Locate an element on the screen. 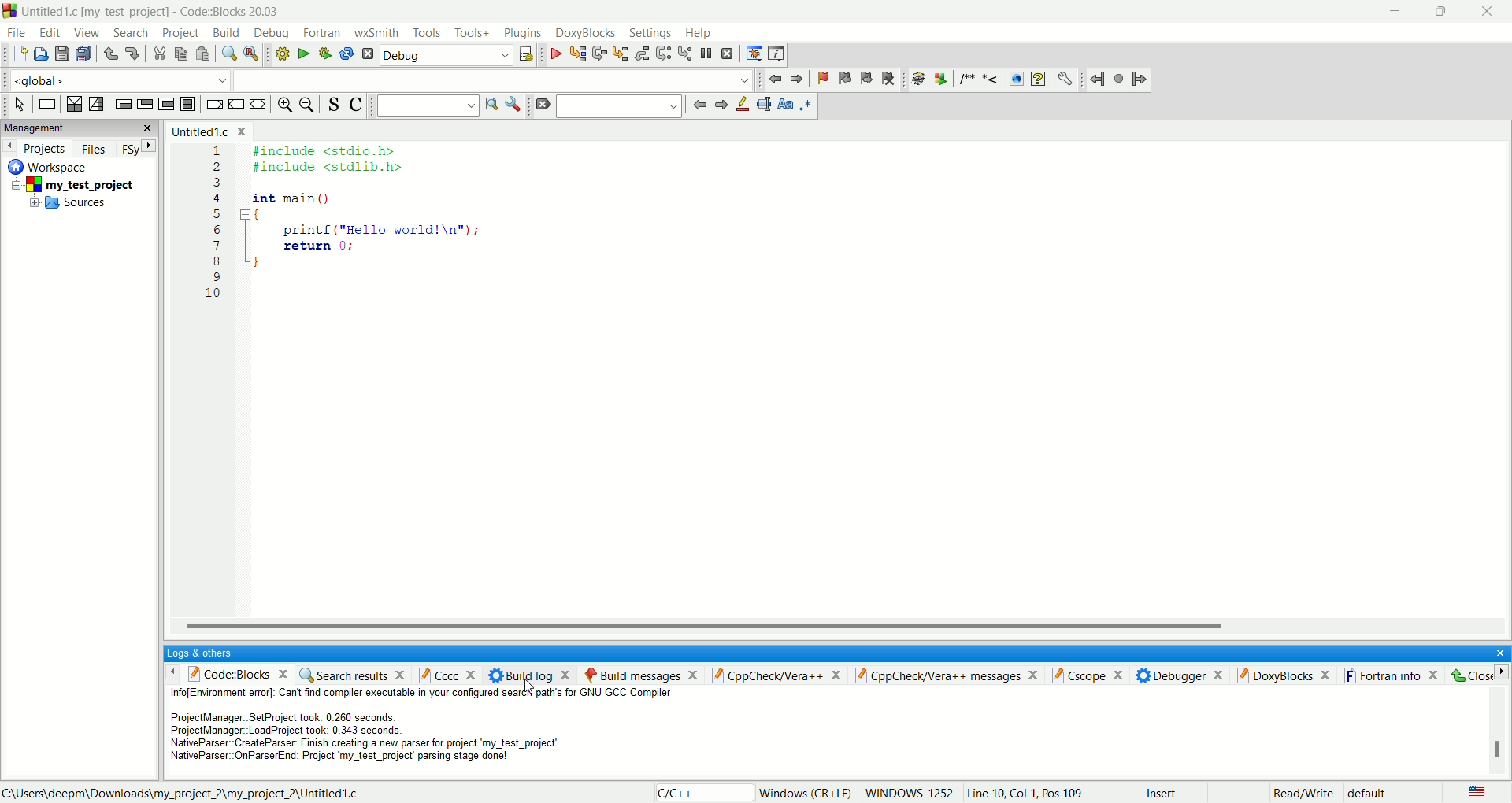 This screenshot has width=1512, height=803. various info is located at coordinates (775, 54).